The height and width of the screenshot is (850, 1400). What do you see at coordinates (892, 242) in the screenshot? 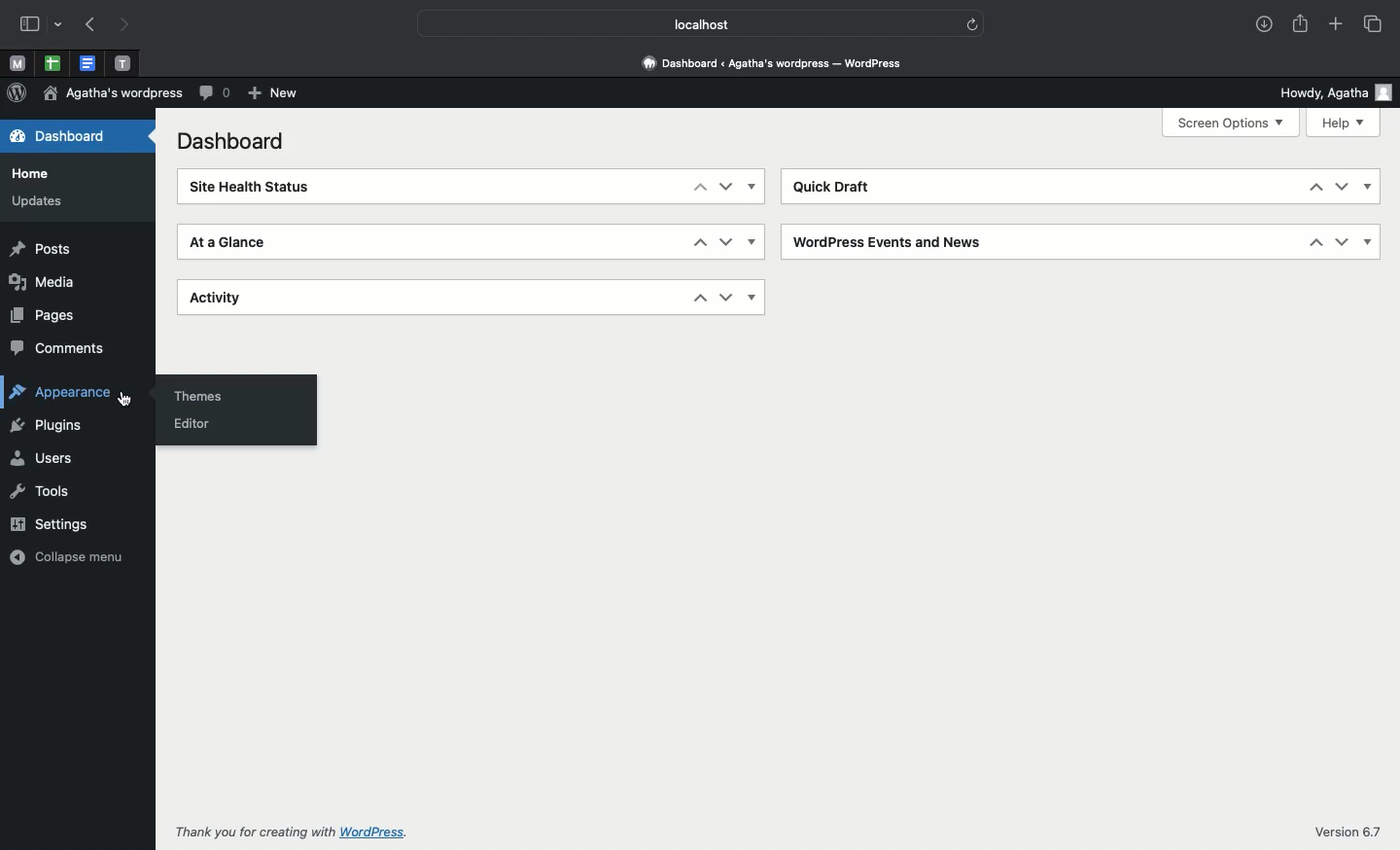
I see `Wordpress events and news` at bounding box center [892, 242].